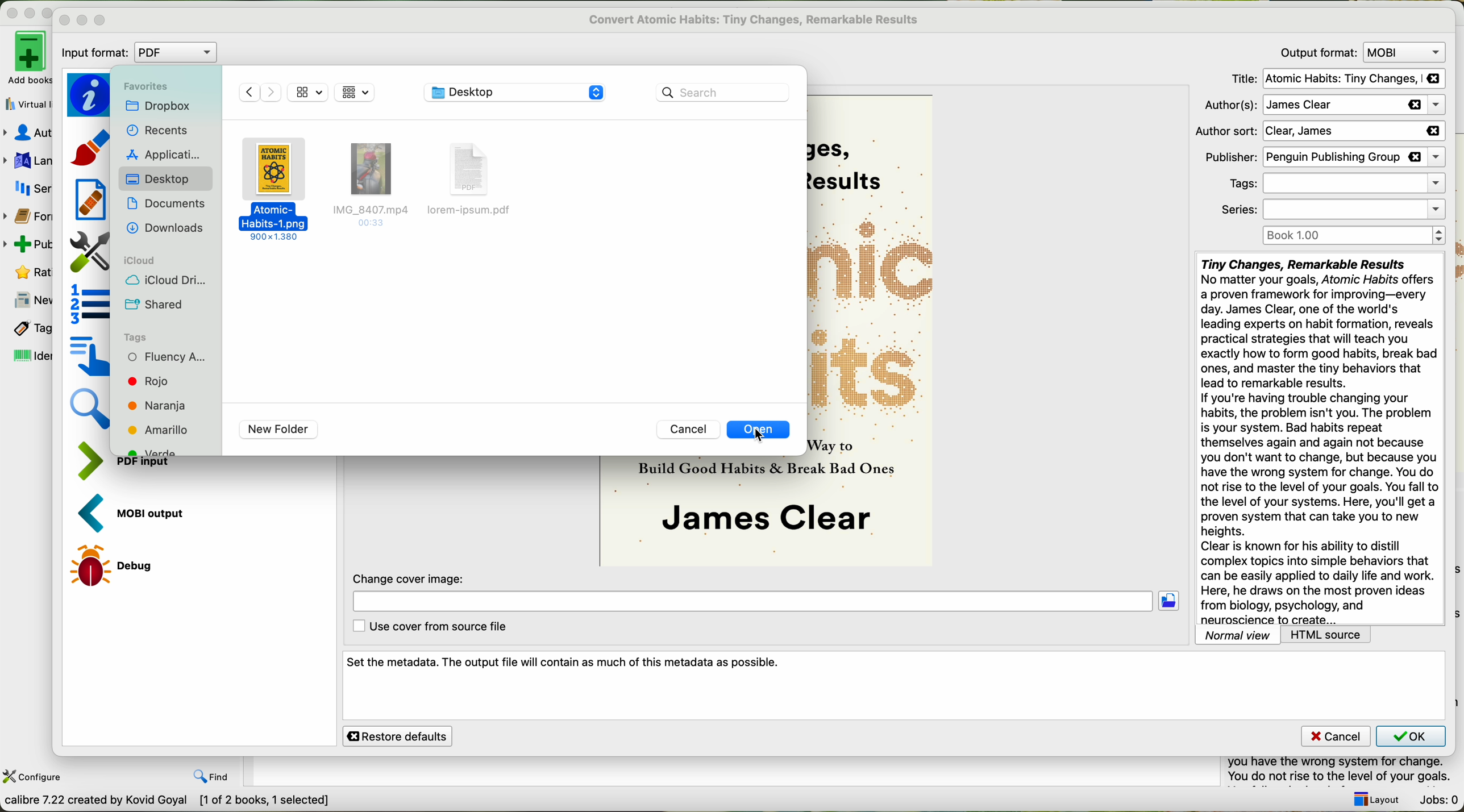 The image size is (1464, 812). I want to click on disable buttons, so click(28, 11).